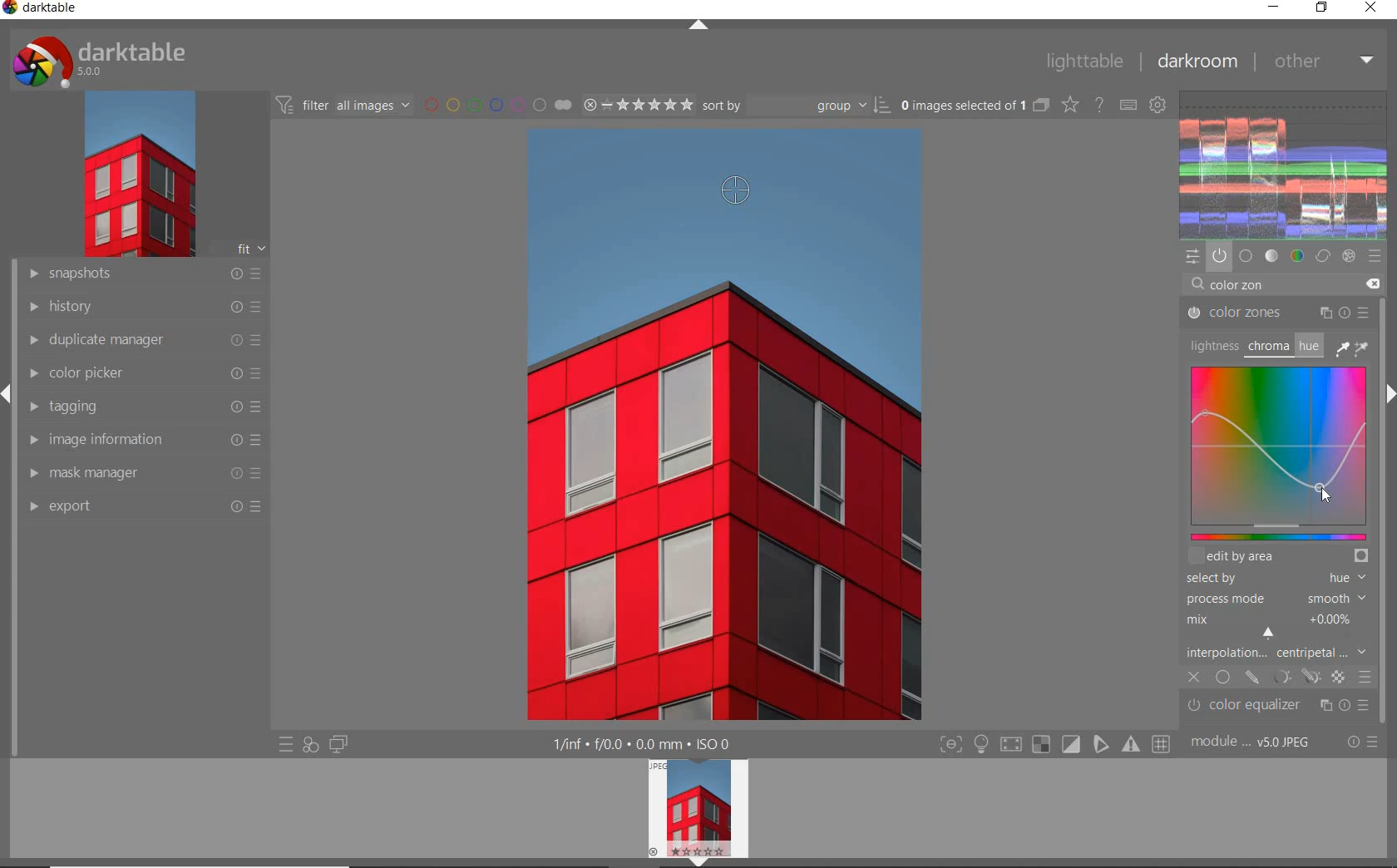 The image size is (1397, 868). What do you see at coordinates (146, 507) in the screenshot?
I see `export` at bounding box center [146, 507].